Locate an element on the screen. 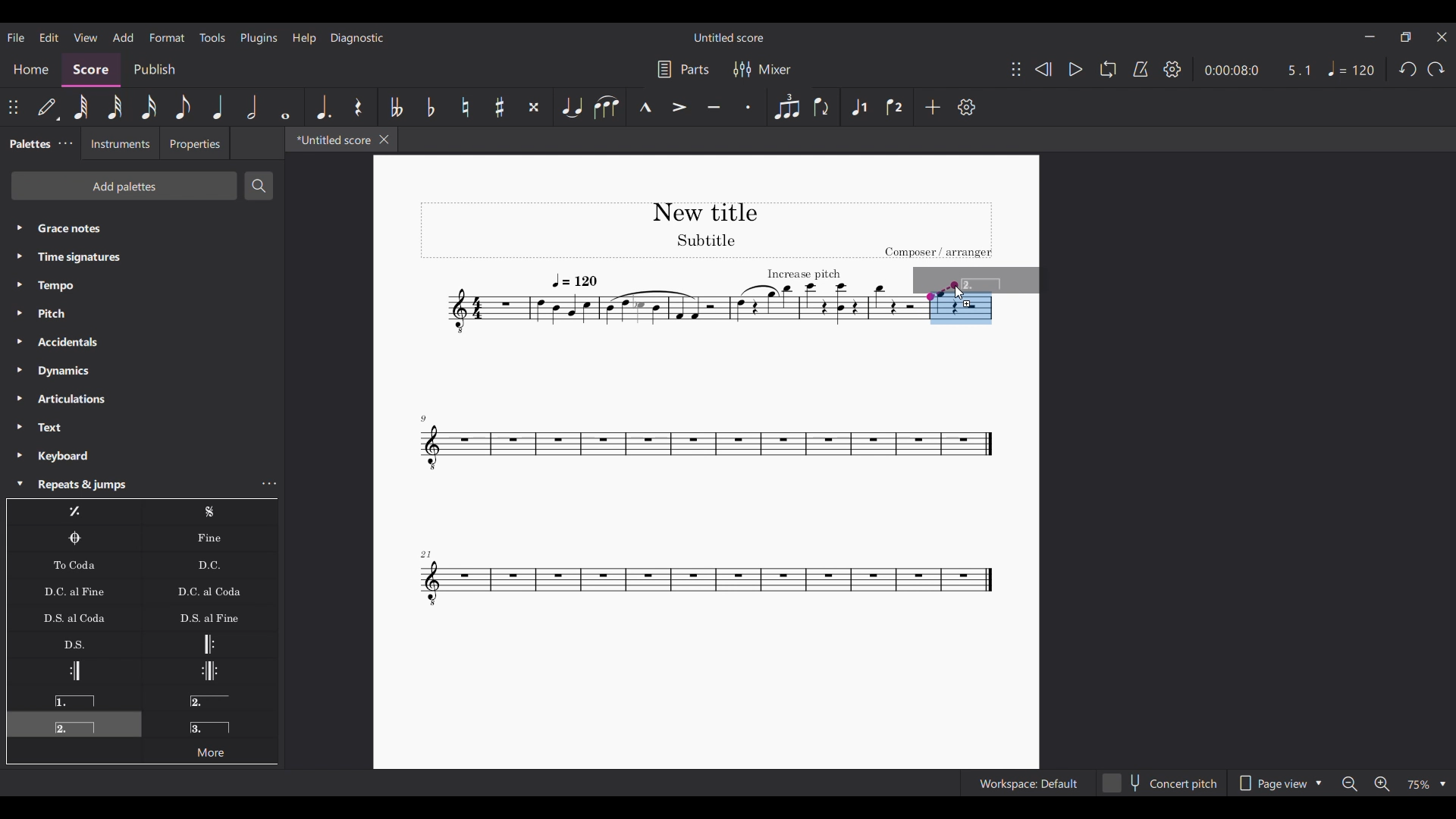 This screenshot has width=1456, height=819. Current score is located at coordinates (670, 407).